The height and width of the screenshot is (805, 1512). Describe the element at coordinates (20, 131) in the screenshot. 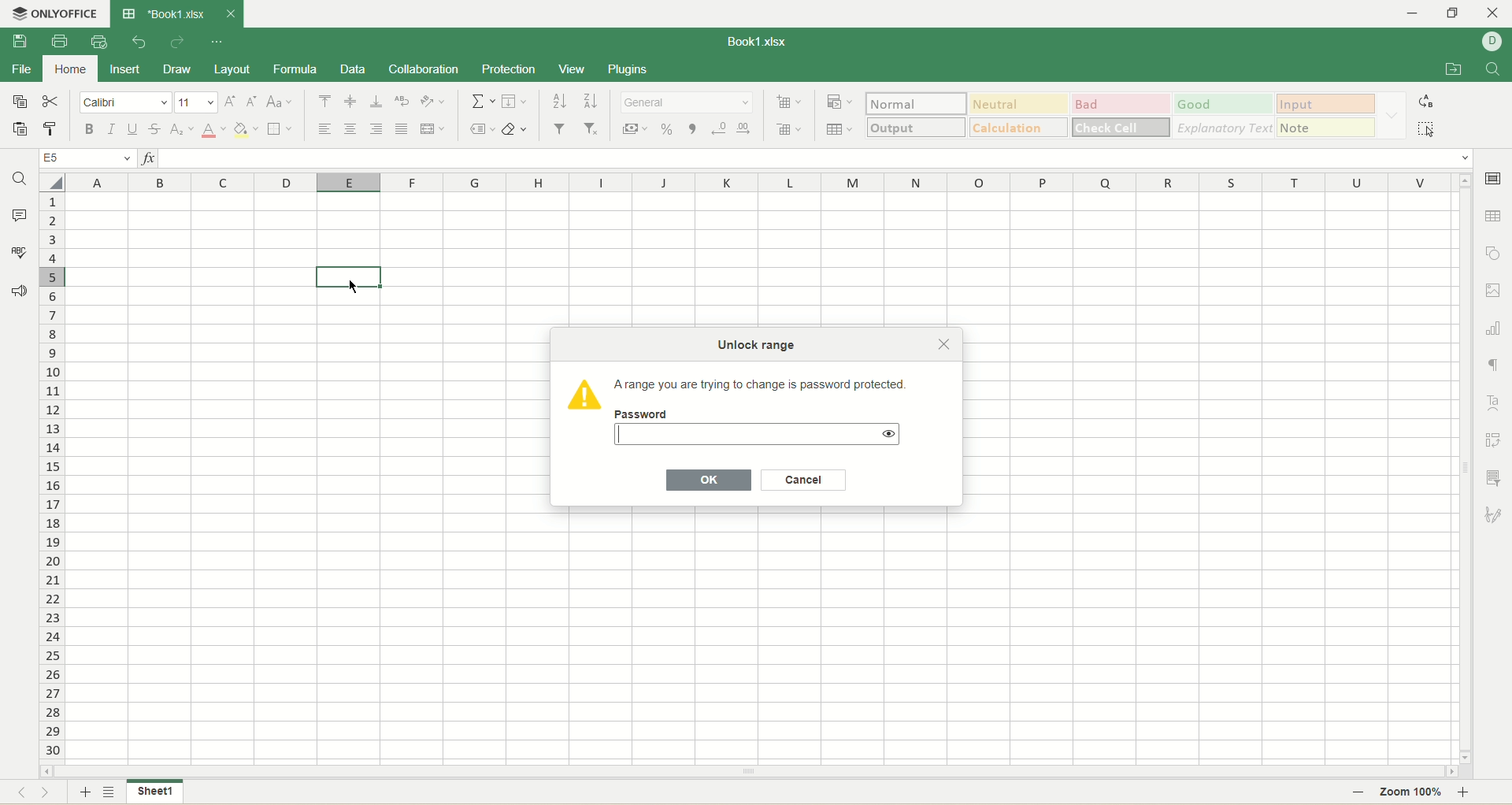

I see `paste` at that location.